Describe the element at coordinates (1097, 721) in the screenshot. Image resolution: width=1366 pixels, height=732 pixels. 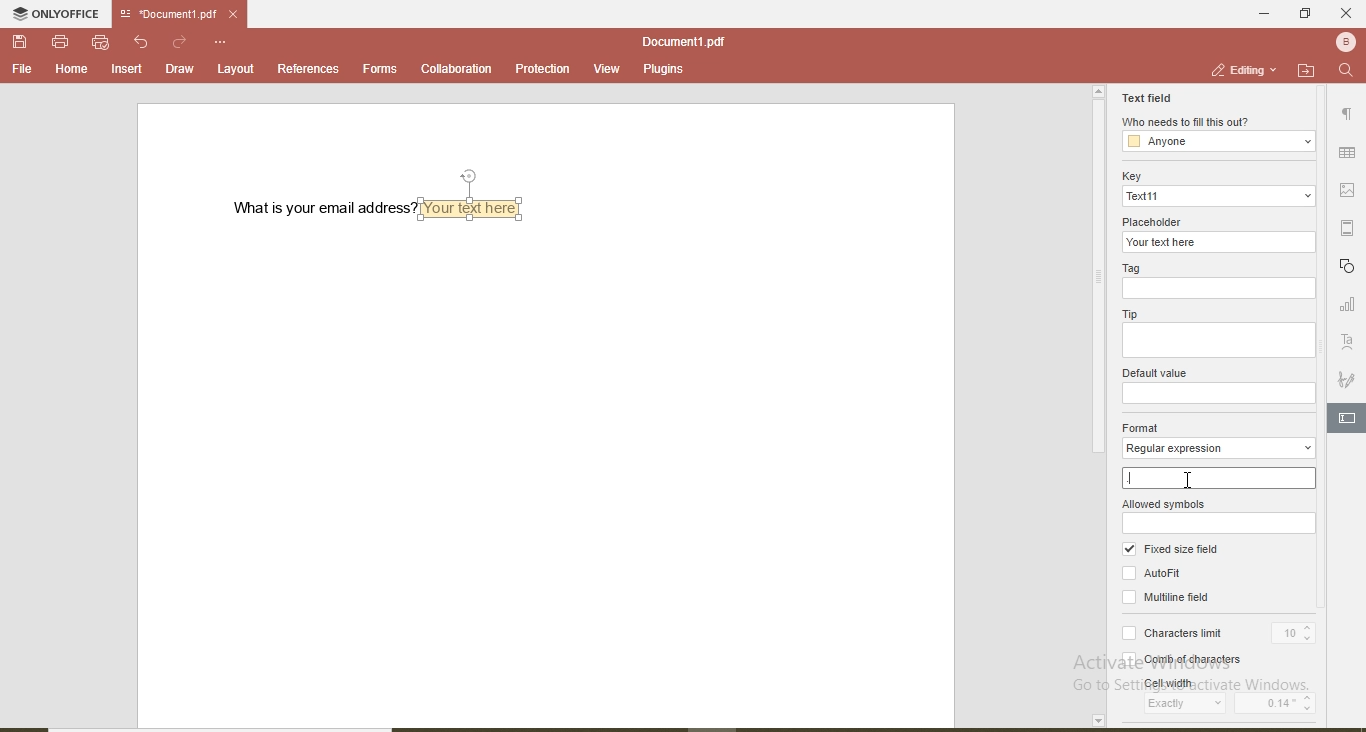
I see `page down` at that location.